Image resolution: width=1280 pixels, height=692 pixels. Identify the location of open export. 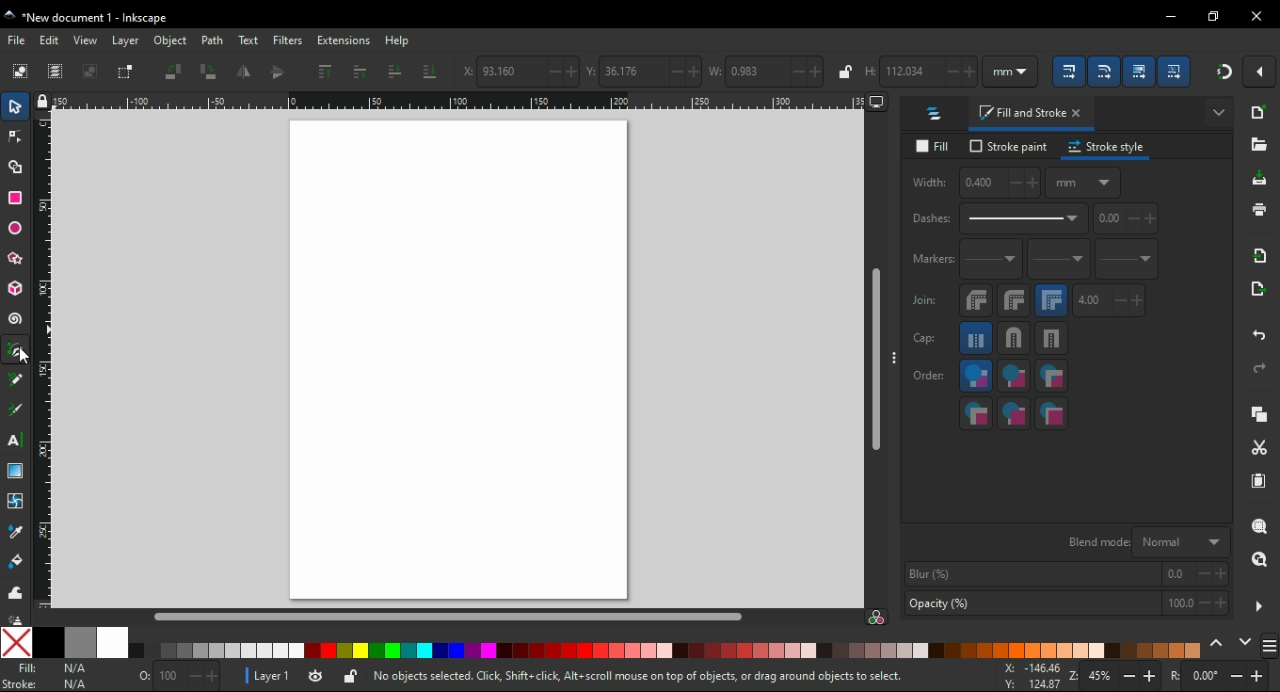
(1256, 294).